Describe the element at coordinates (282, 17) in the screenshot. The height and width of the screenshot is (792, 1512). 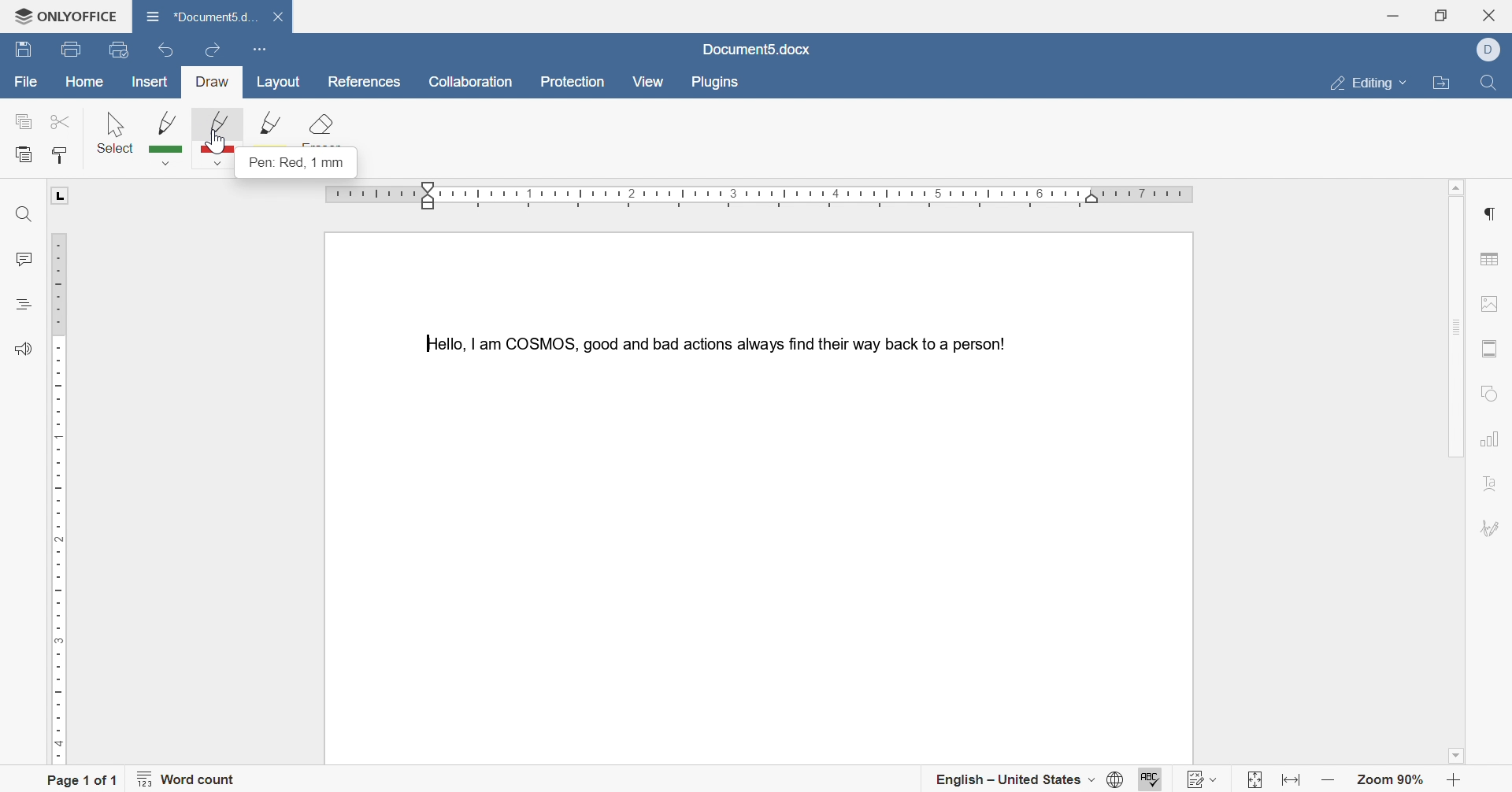
I see `close` at that location.